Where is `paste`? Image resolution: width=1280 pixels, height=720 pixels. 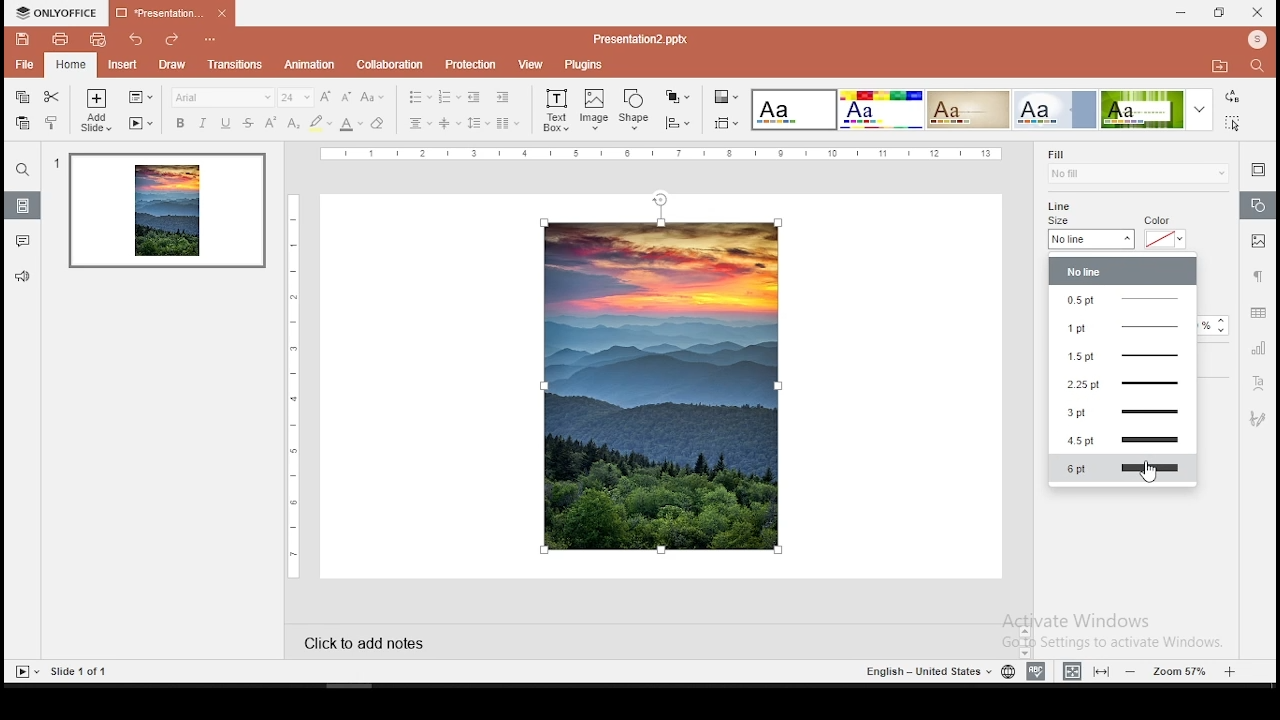
paste is located at coordinates (23, 123).